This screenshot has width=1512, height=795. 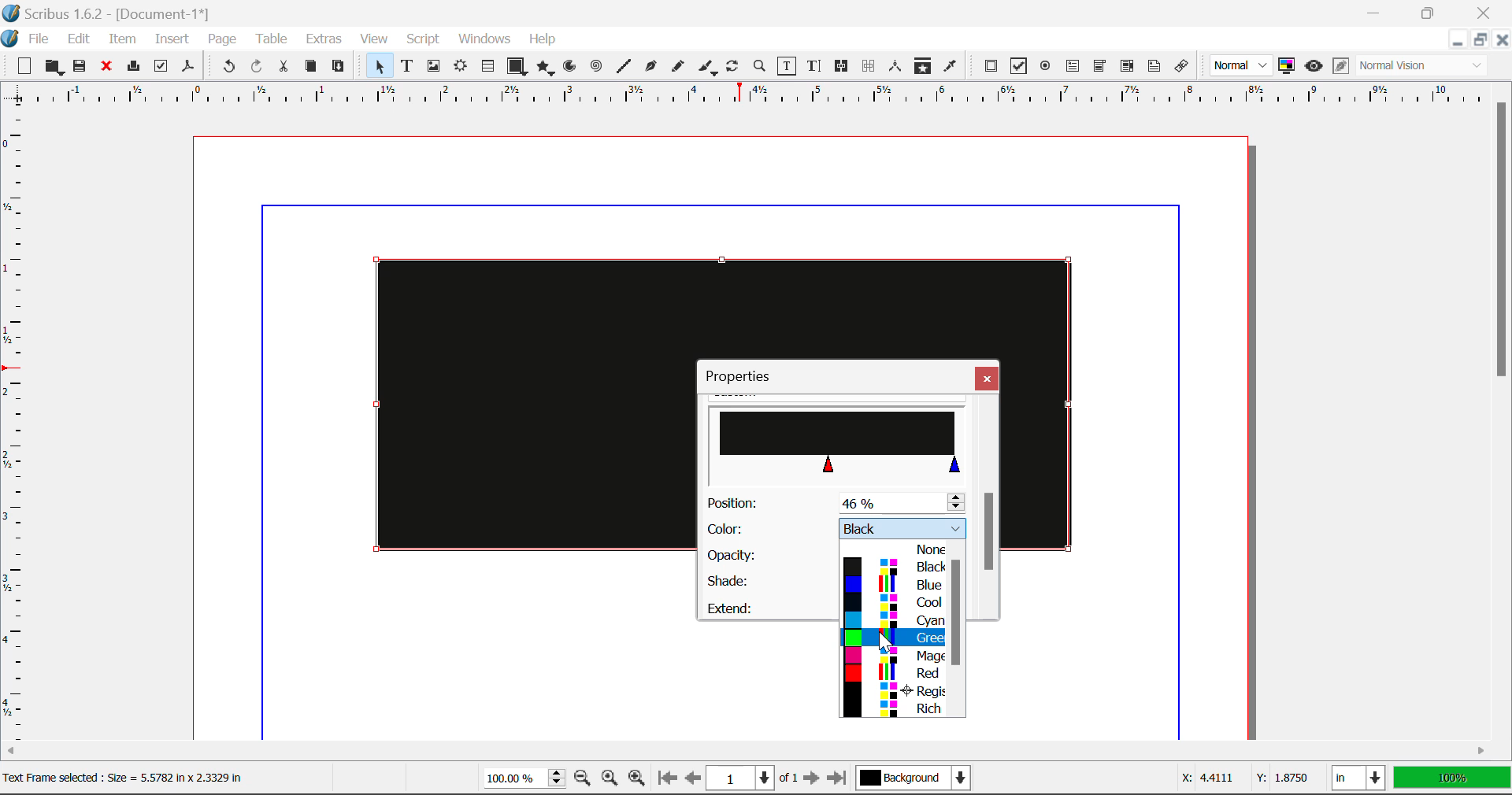 What do you see at coordinates (1341, 66) in the screenshot?
I see `Edit in Preview Mode` at bounding box center [1341, 66].